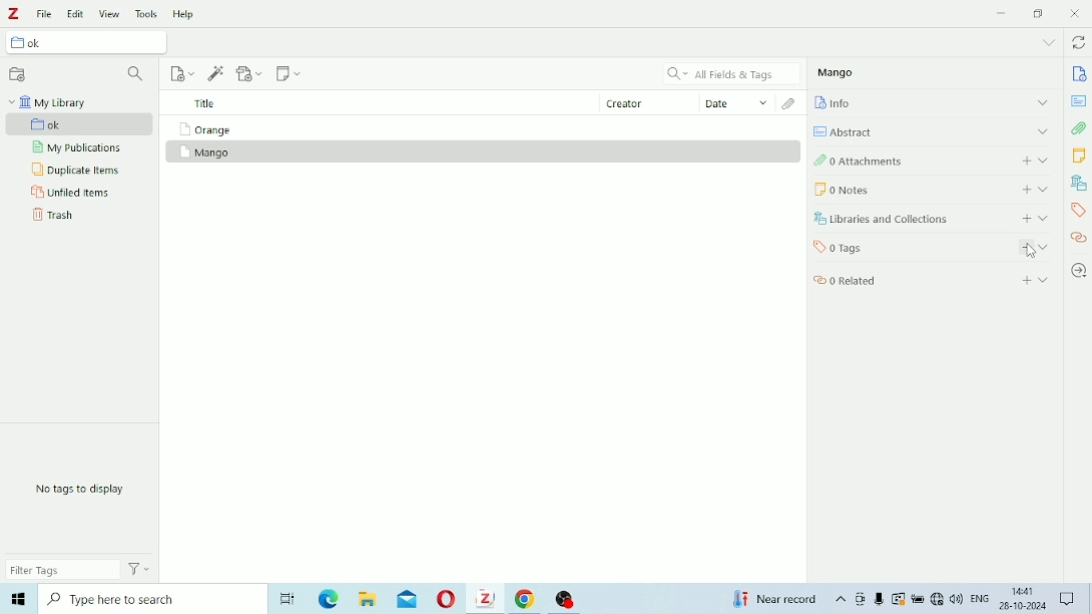 This screenshot has width=1092, height=614. Describe the element at coordinates (216, 73) in the screenshot. I see `Add Item (s) by Identifier` at that location.